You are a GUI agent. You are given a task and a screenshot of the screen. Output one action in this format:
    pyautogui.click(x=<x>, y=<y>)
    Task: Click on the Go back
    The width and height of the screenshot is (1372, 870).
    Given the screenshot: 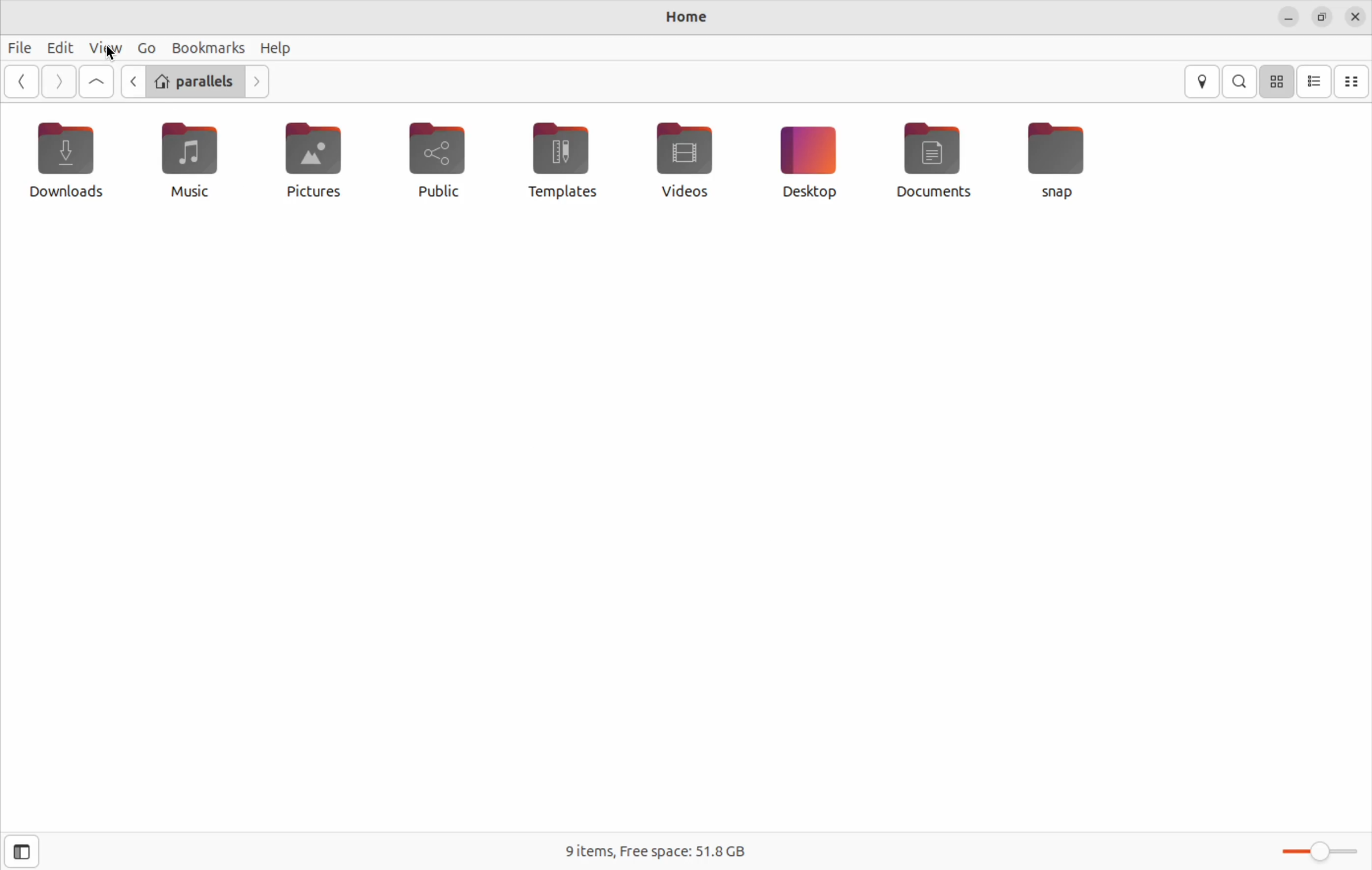 What is the action you would take?
    pyautogui.click(x=20, y=81)
    